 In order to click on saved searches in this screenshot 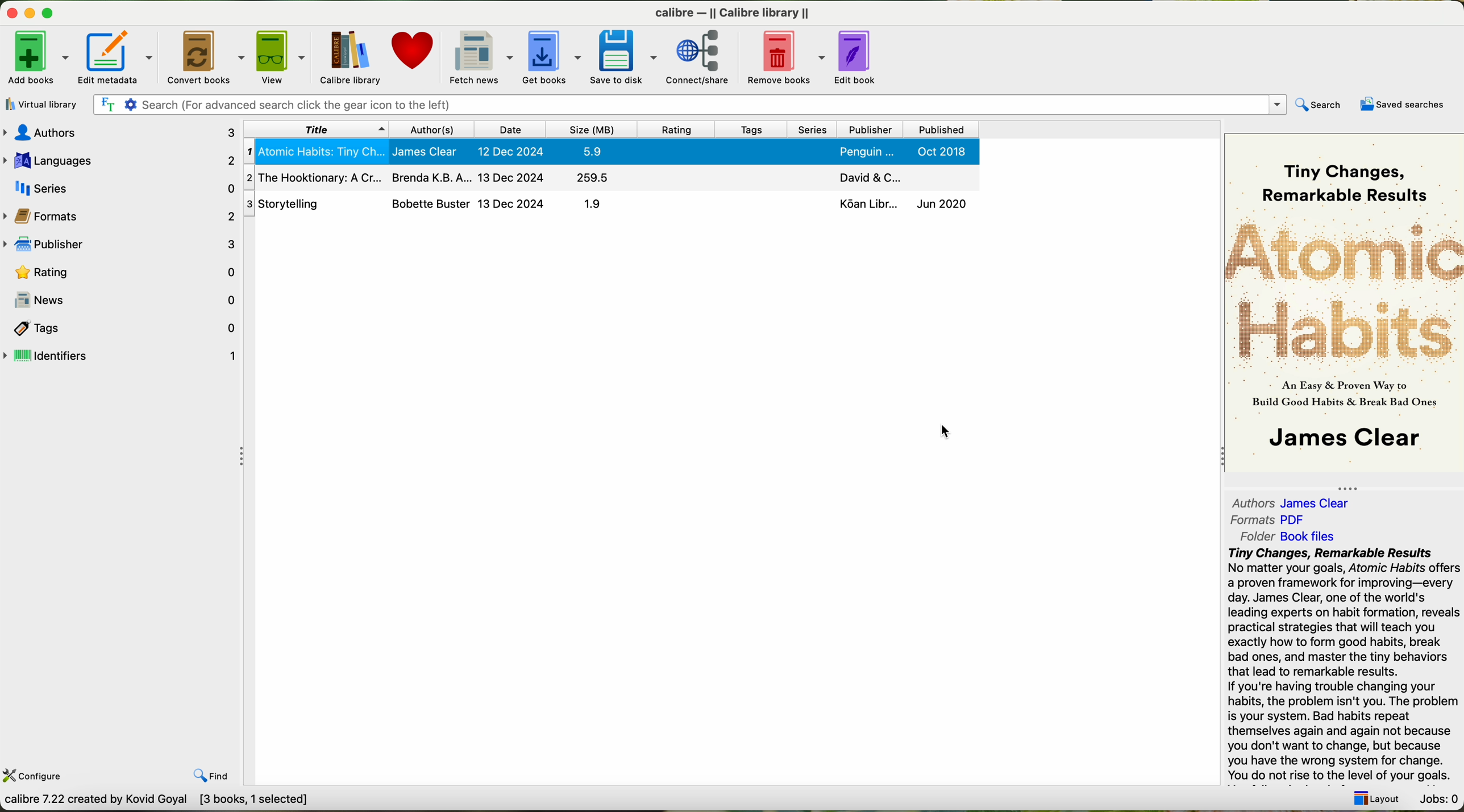, I will do `click(1400, 105)`.